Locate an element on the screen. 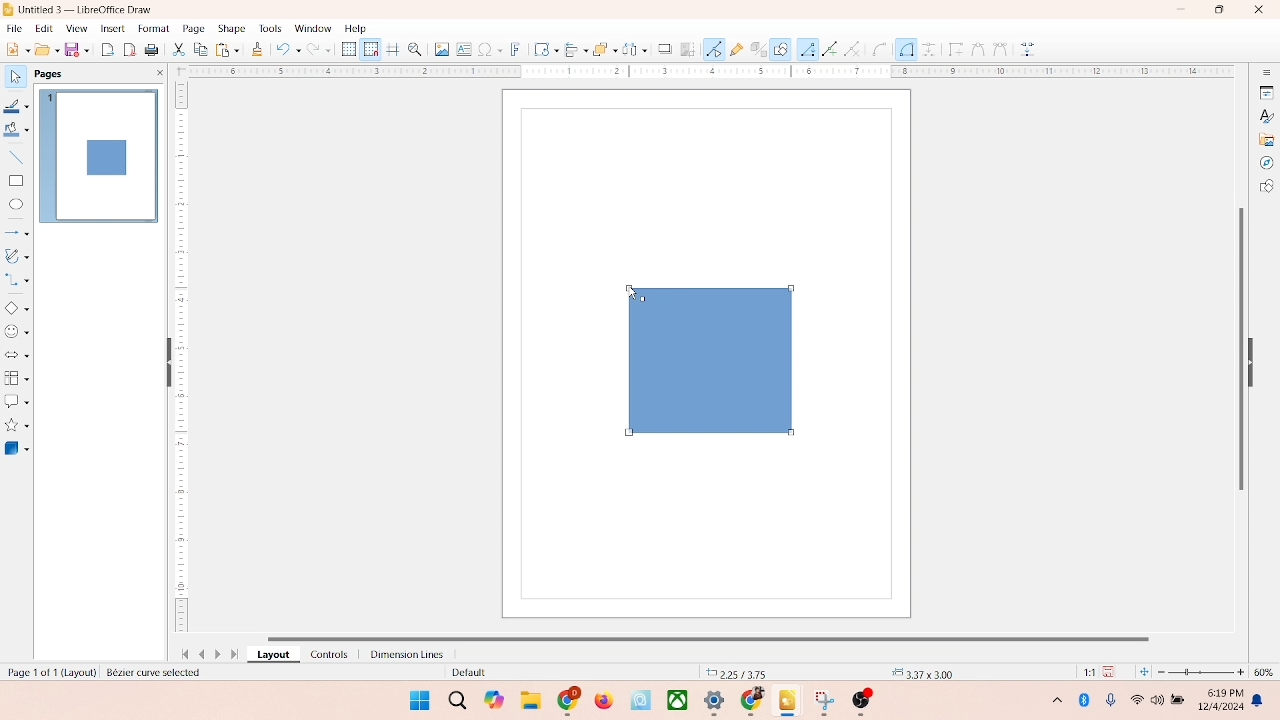 Image resolution: width=1280 pixels, height=720 pixels. logo is located at coordinates (9, 9).